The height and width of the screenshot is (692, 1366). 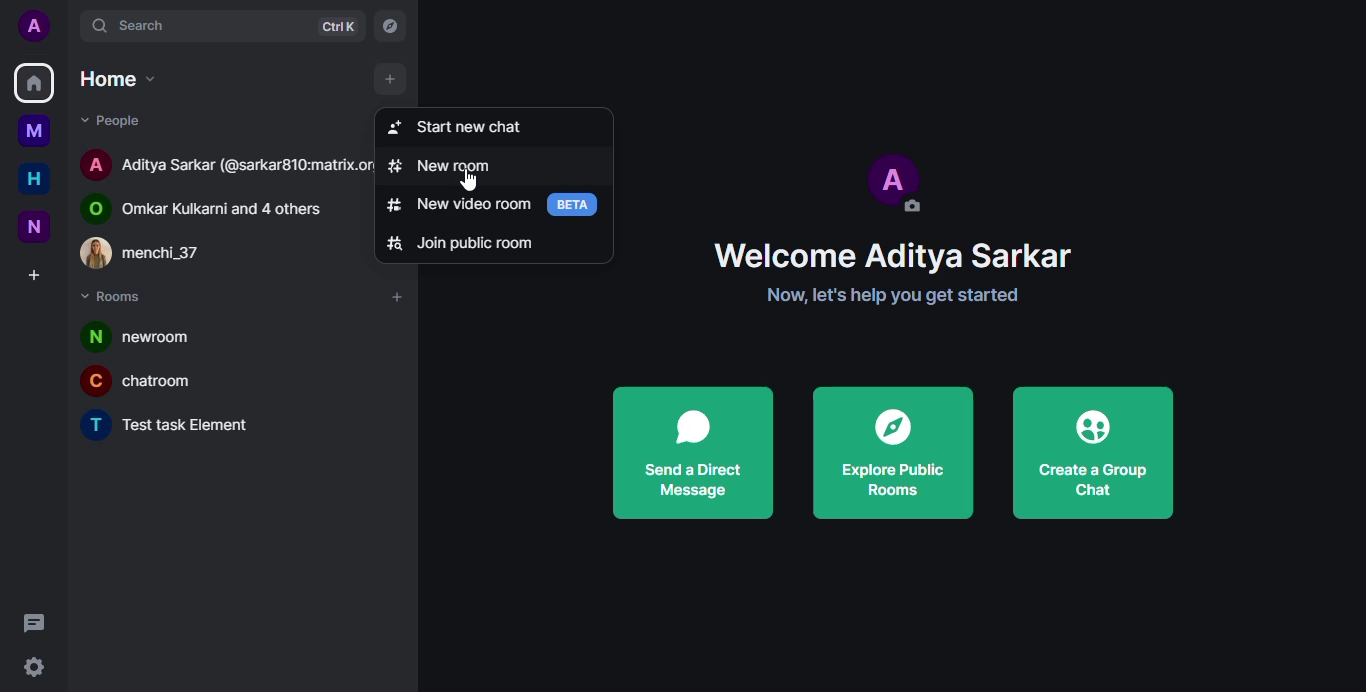 I want to click on welcome Aditya Sarkar, so click(x=893, y=254).